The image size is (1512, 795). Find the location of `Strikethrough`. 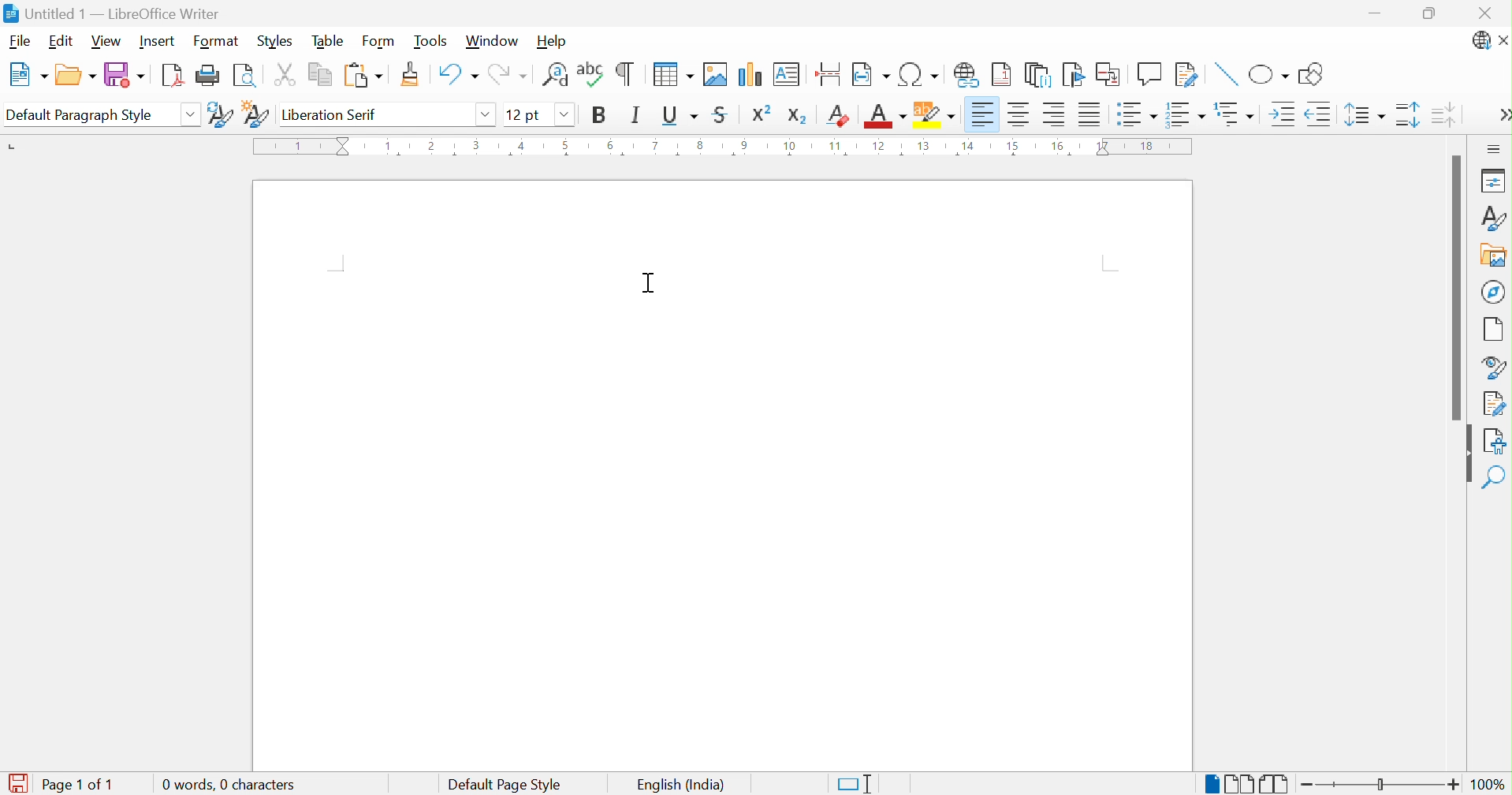

Strikethrough is located at coordinates (722, 114).